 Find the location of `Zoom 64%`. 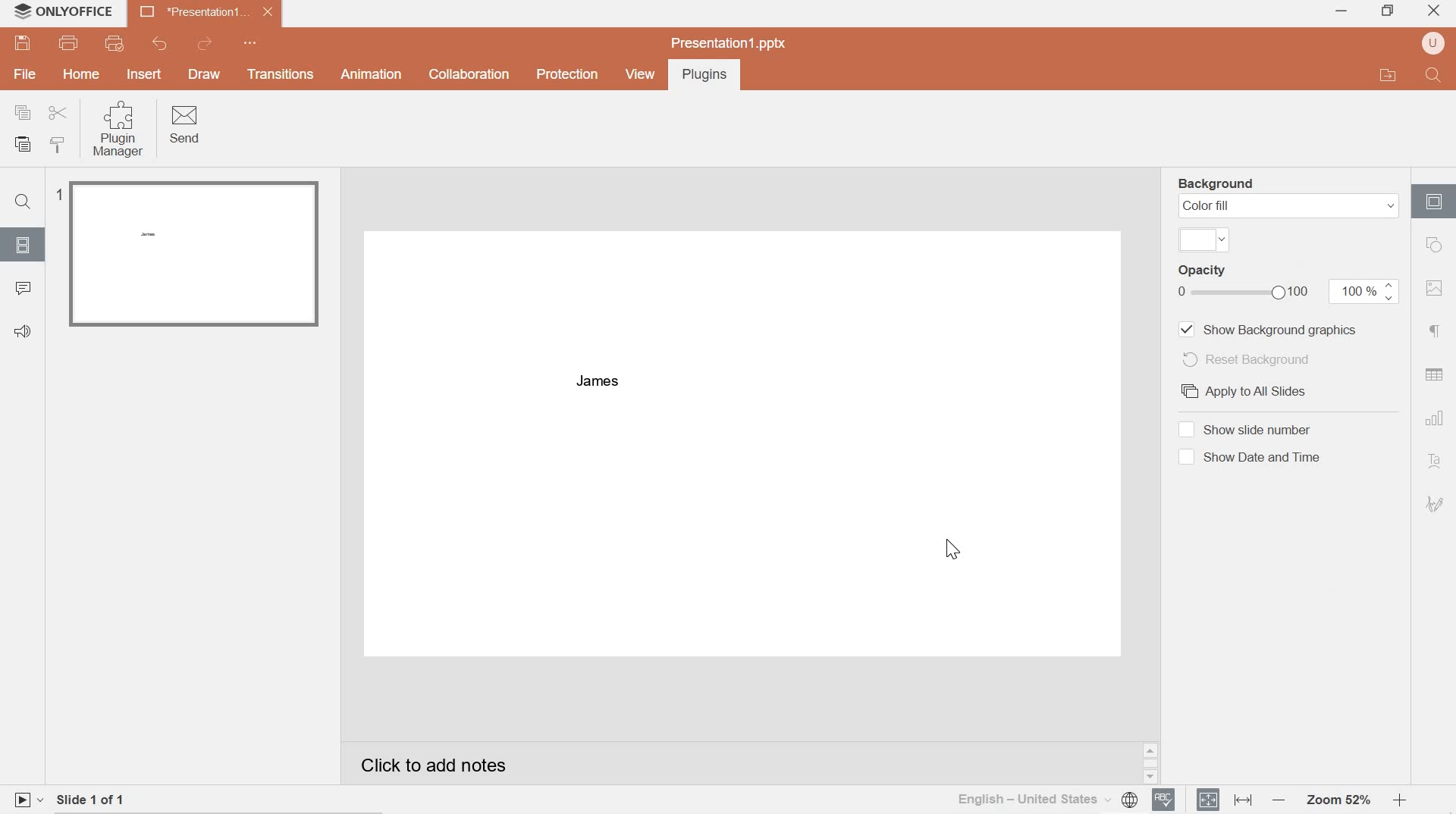

Zoom 64% is located at coordinates (1337, 800).